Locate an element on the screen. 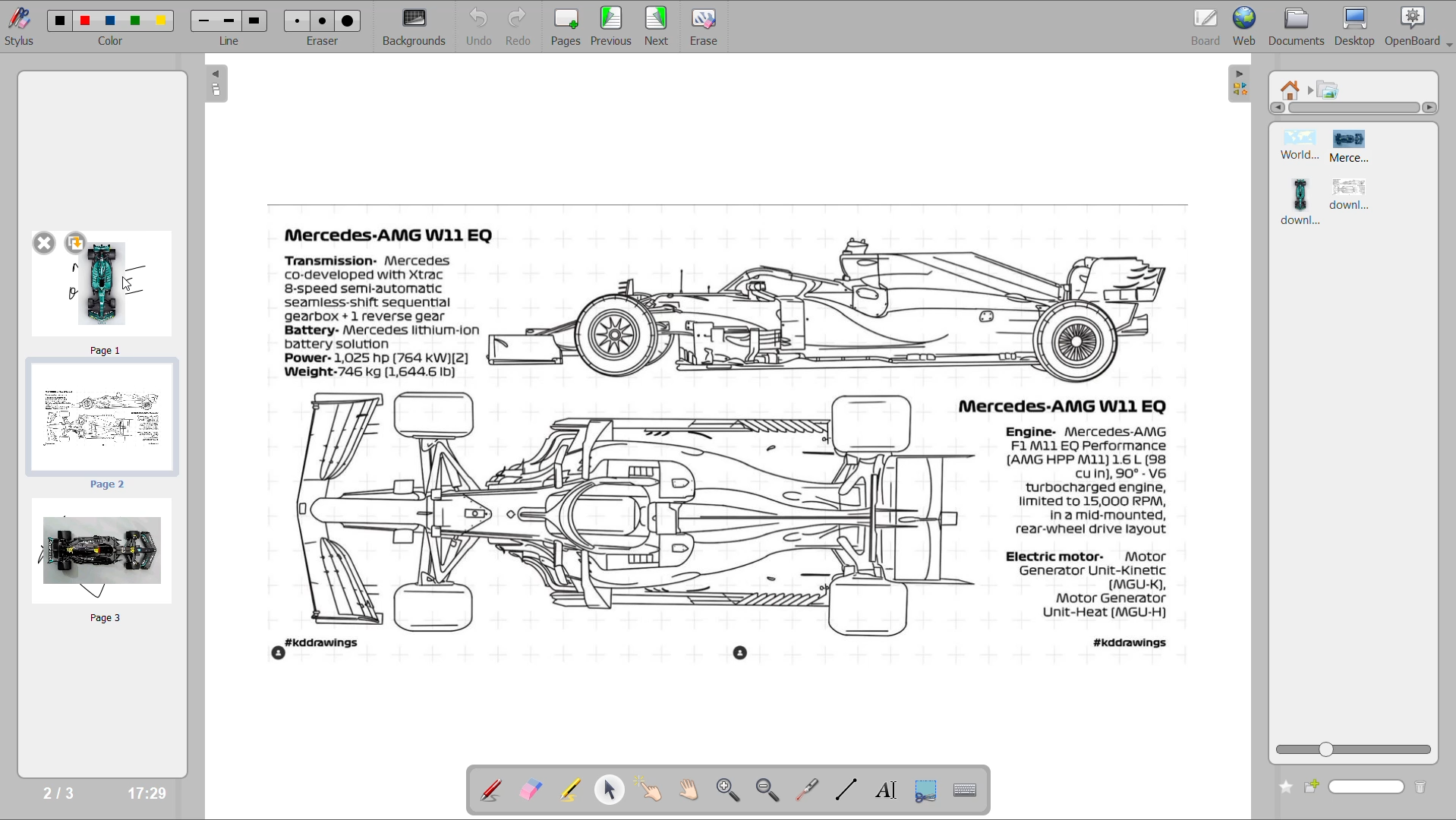 This screenshot has height=820, width=1456. erase is located at coordinates (704, 27).